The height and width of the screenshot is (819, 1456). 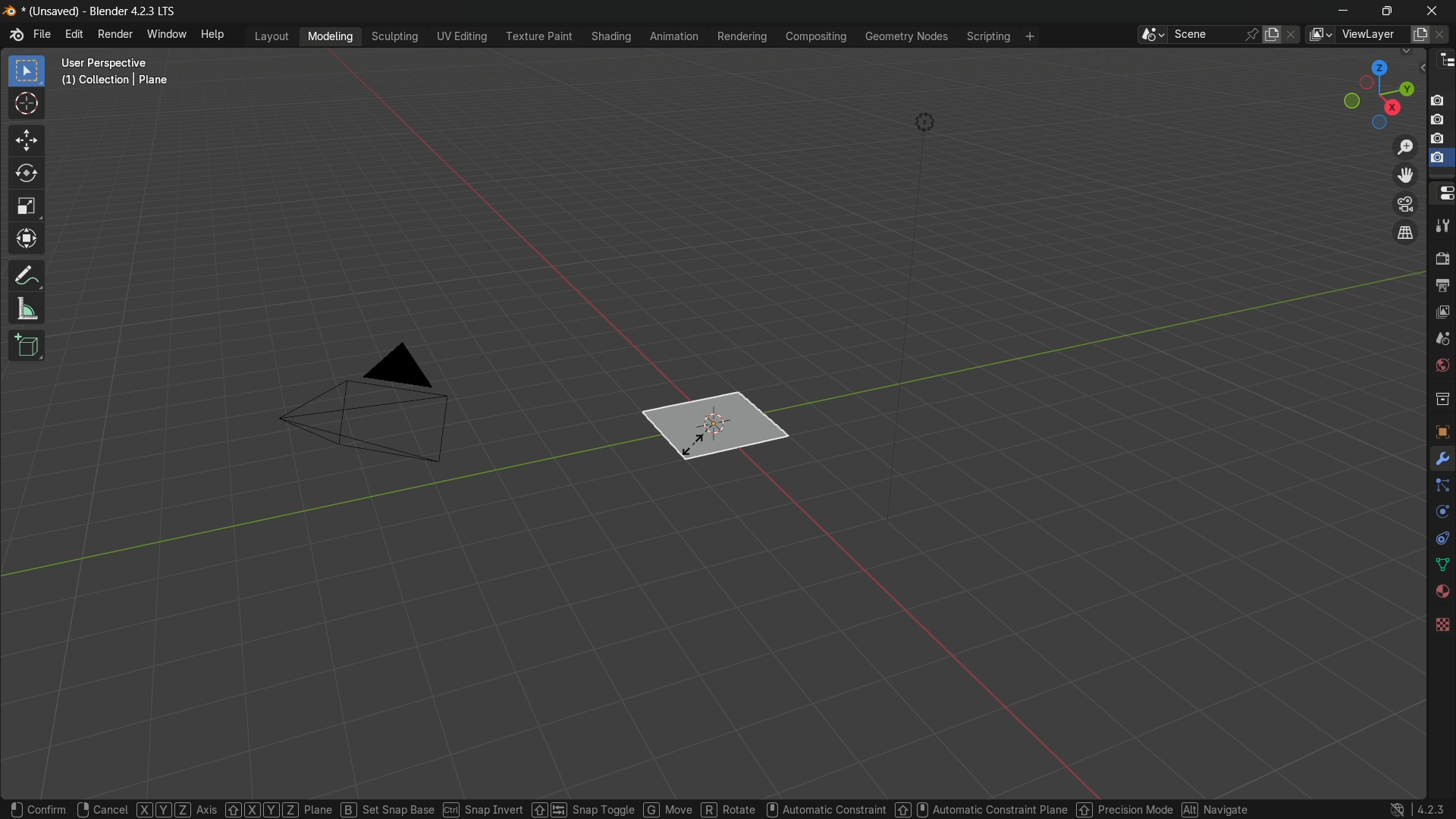 What do you see at coordinates (1213, 806) in the screenshot?
I see `navigate` at bounding box center [1213, 806].